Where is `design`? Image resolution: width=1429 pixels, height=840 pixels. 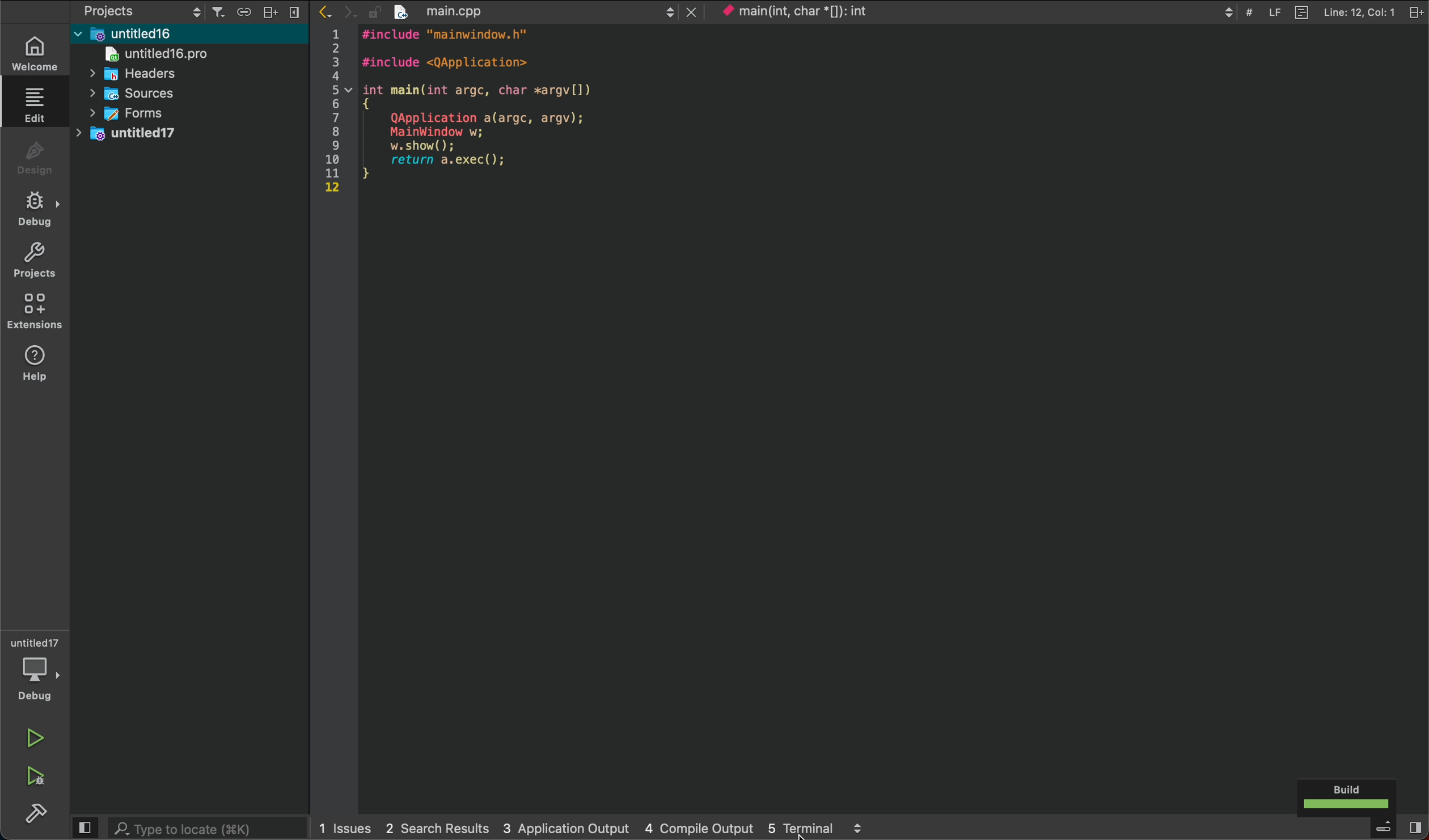
design is located at coordinates (32, 158).